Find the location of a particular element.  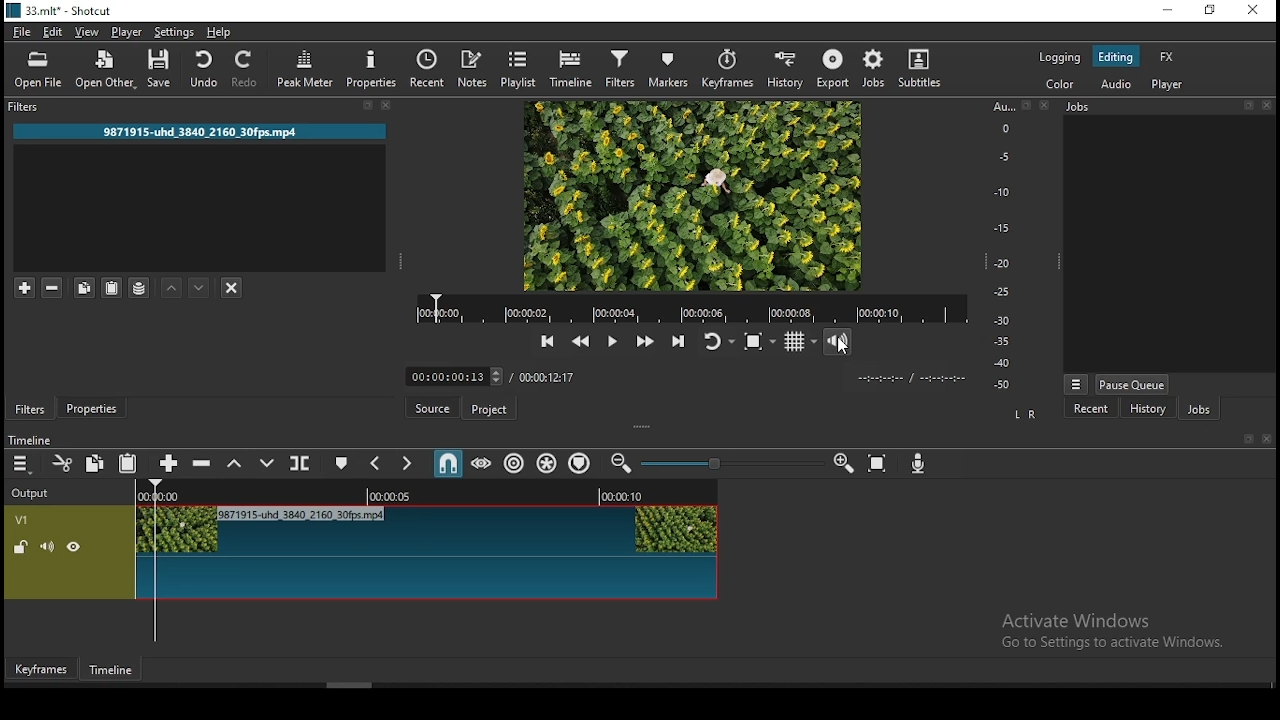

time is located at coordinates (920, 377).